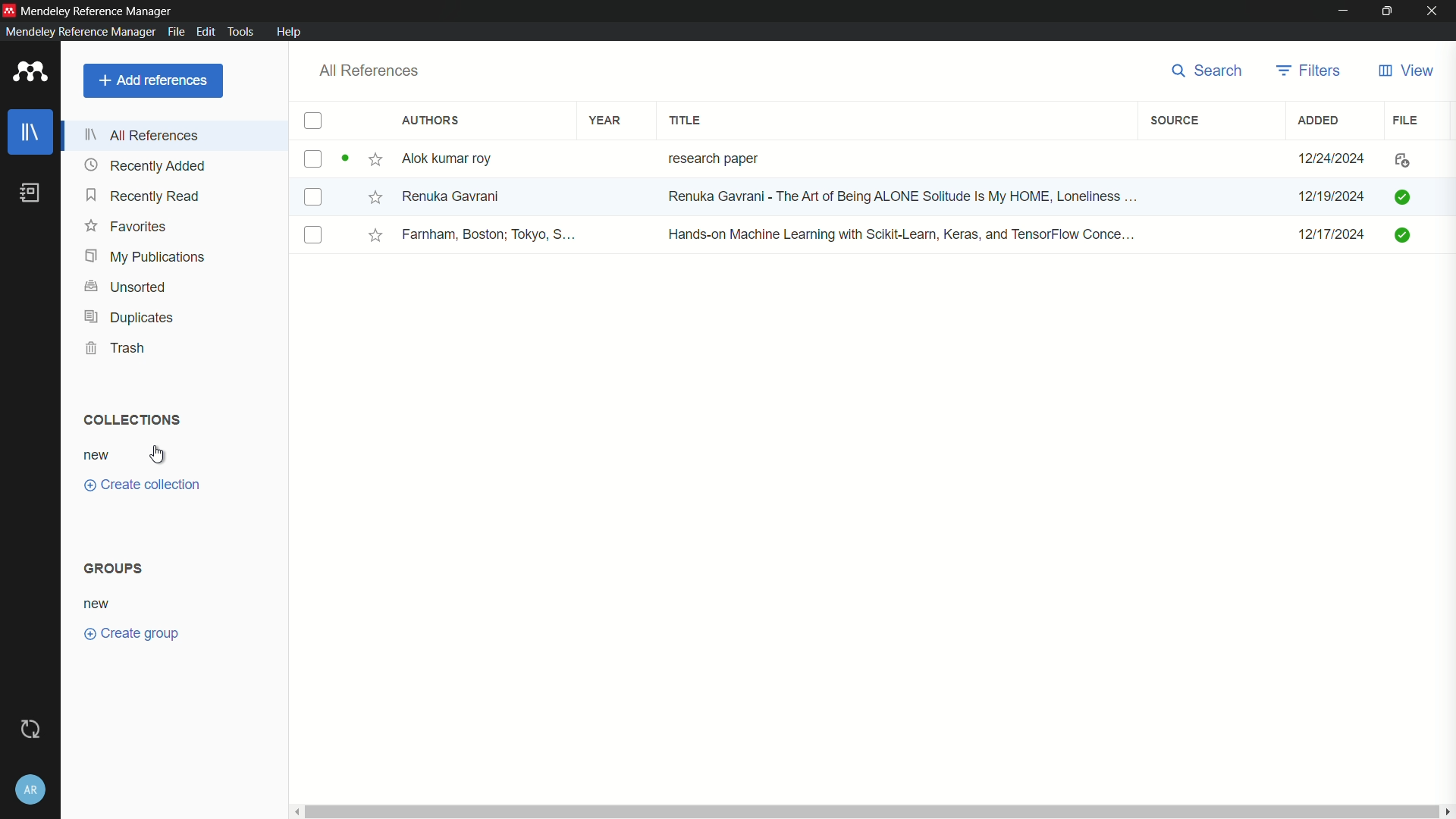  I want to click on favorites, so click(124, 227).